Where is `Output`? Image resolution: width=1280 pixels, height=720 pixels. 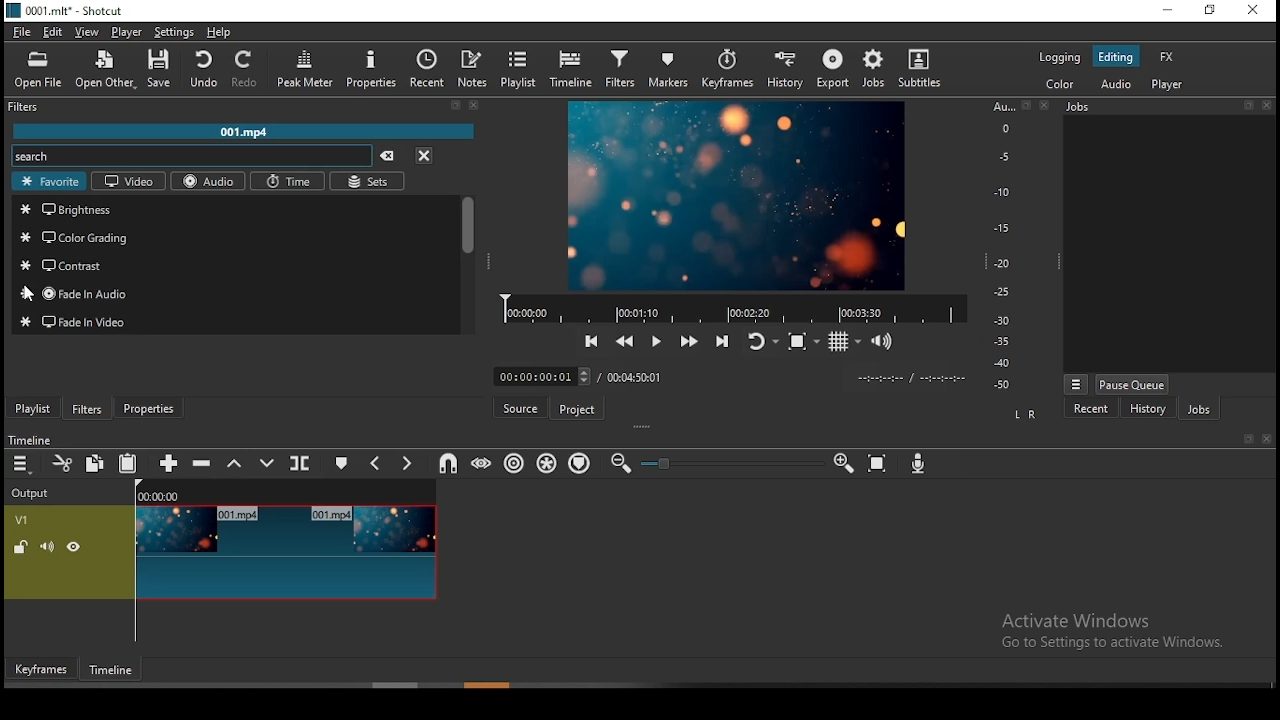
Output is located at coordinates (34, 493).